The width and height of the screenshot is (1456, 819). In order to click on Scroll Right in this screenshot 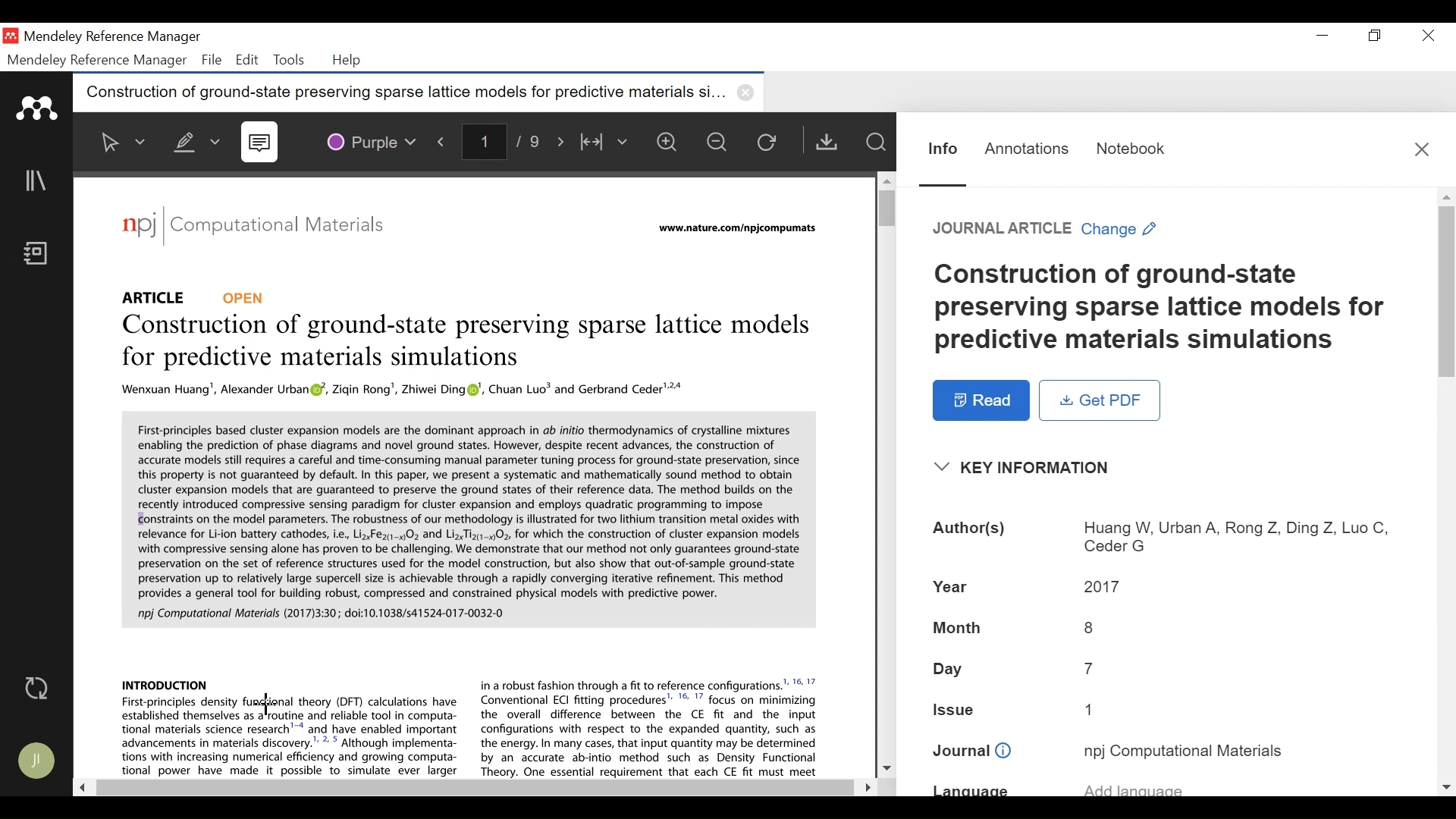, I will do `click(864, 785)`.